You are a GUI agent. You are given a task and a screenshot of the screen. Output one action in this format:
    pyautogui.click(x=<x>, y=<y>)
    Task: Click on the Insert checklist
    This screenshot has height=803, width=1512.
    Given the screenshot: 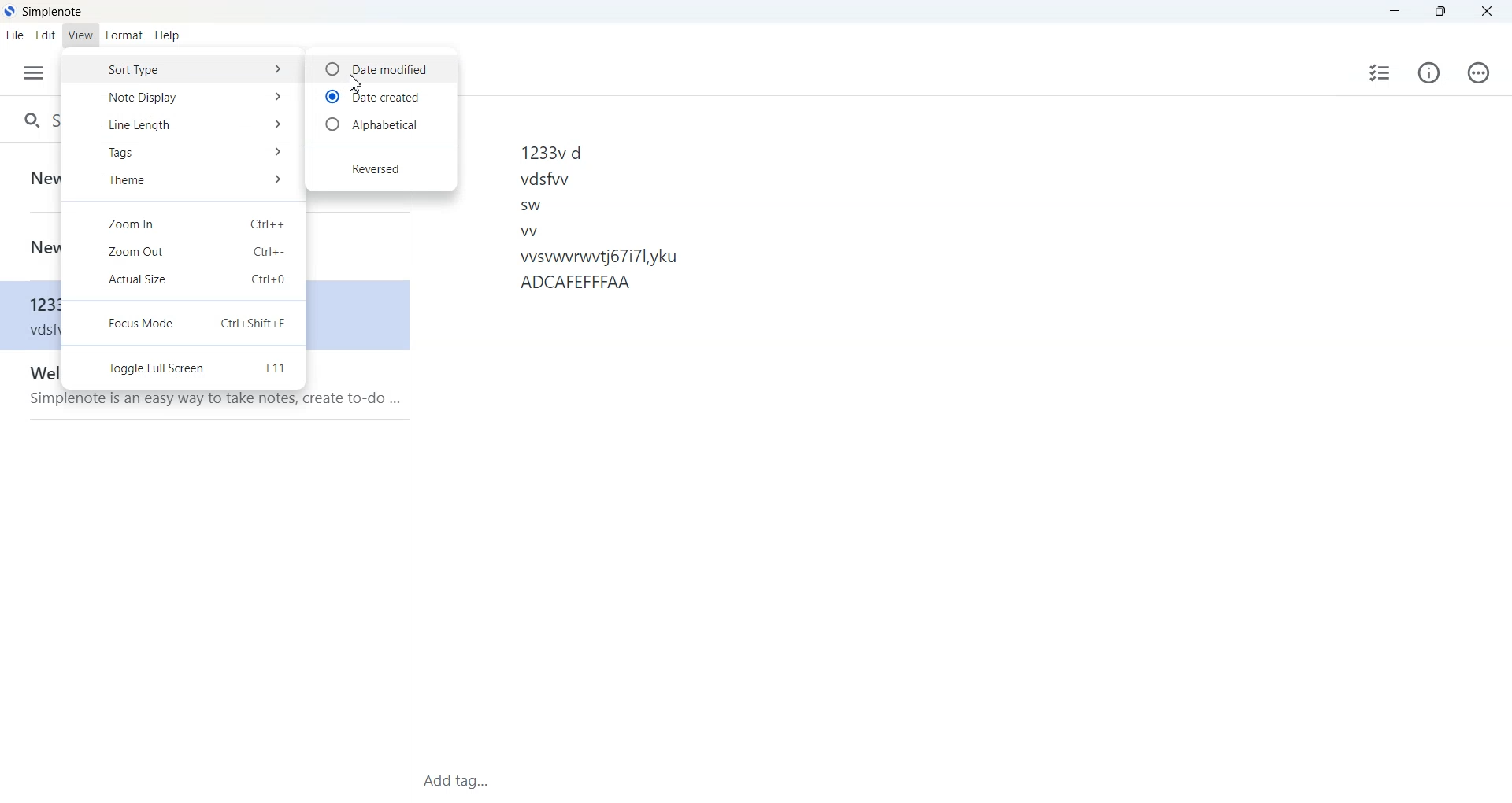 What is the action you would take?
    pyautogui.click(x=1380, y=72)
    